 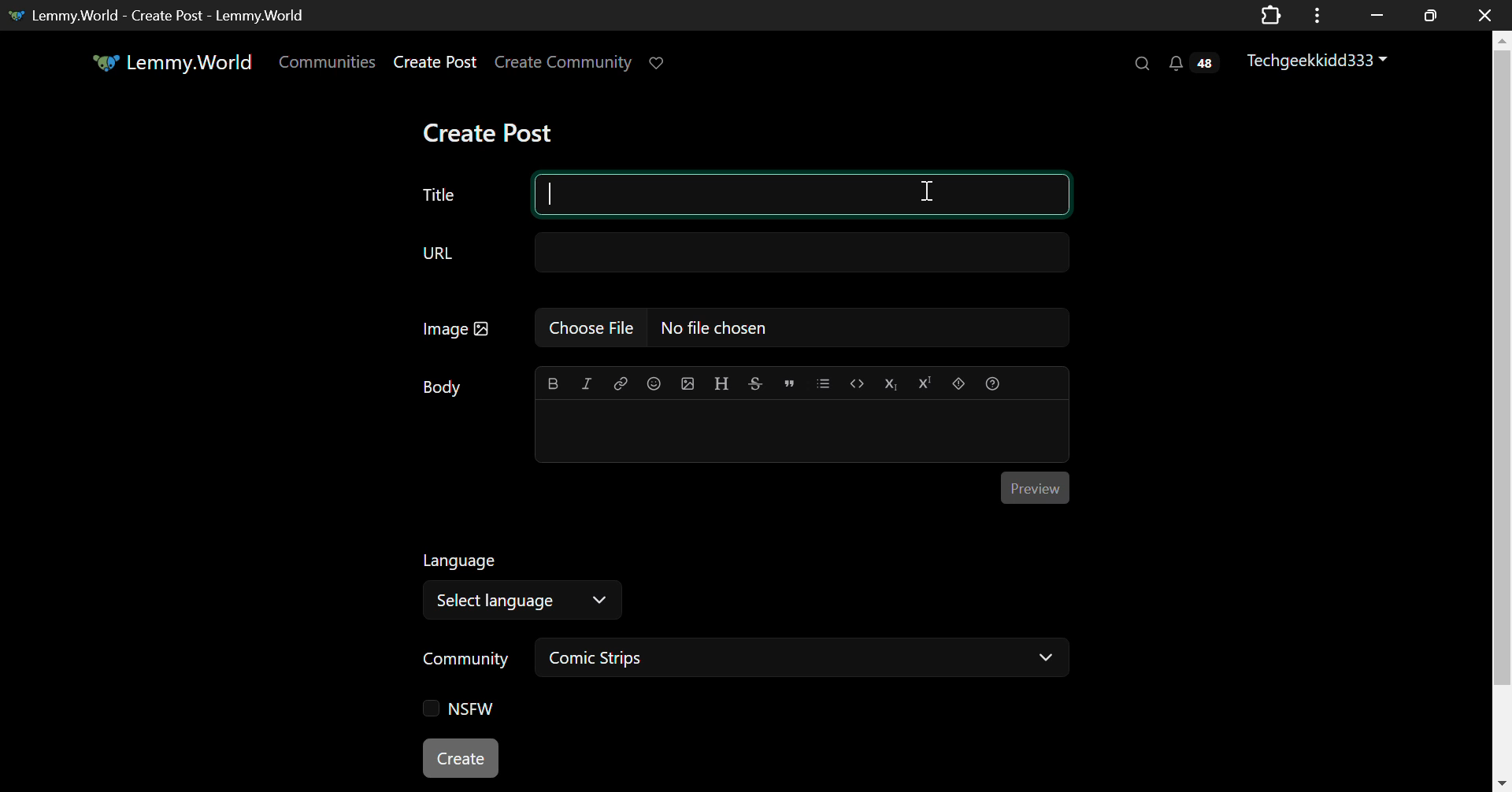 I want to click on Subscript, so click(x=891, y=383).